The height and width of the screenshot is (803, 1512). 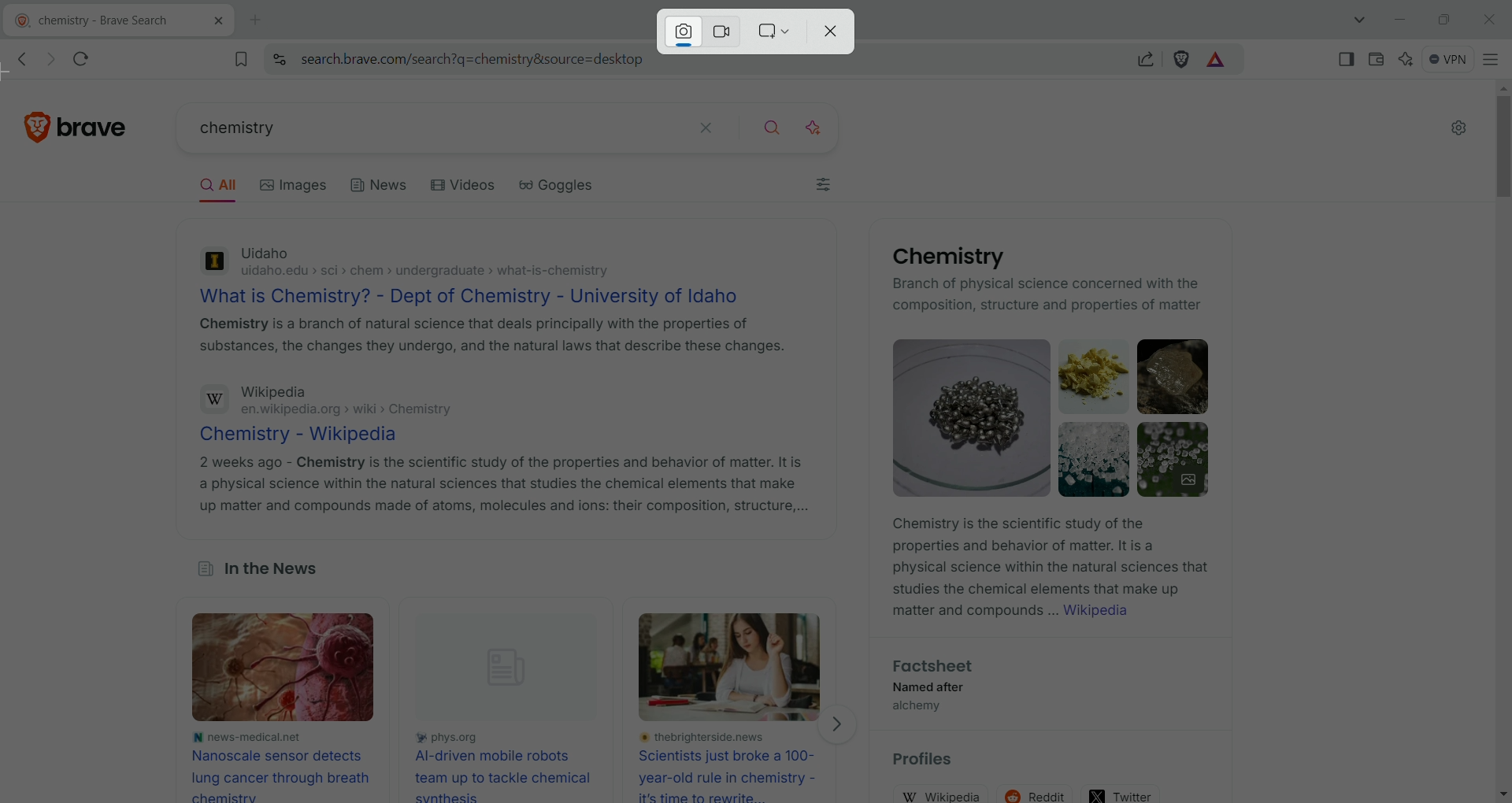 I want to click on show sidebar, so click(x=1347, y=58).